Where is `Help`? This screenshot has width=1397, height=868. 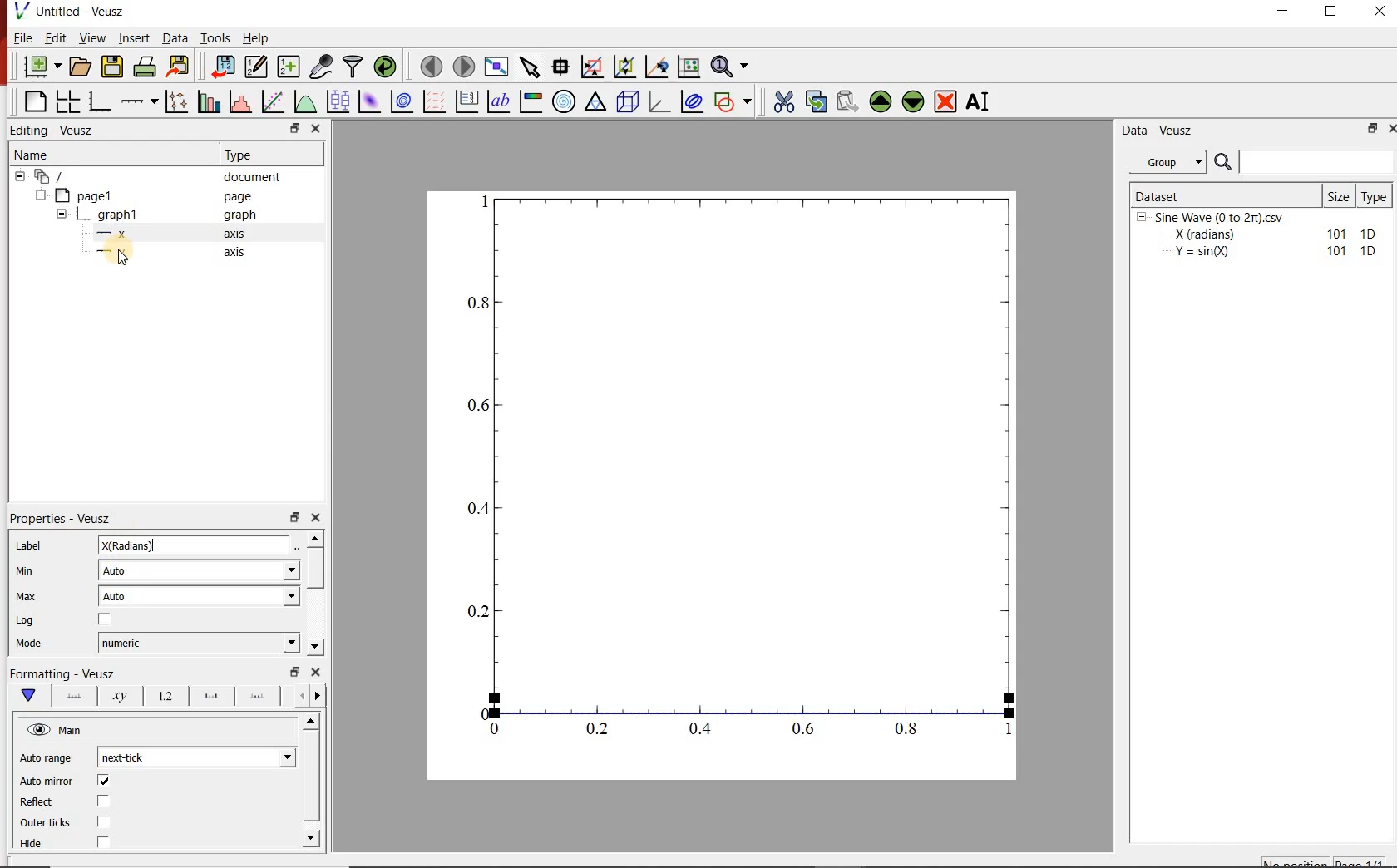
Help is located at coordinates (255, 38).